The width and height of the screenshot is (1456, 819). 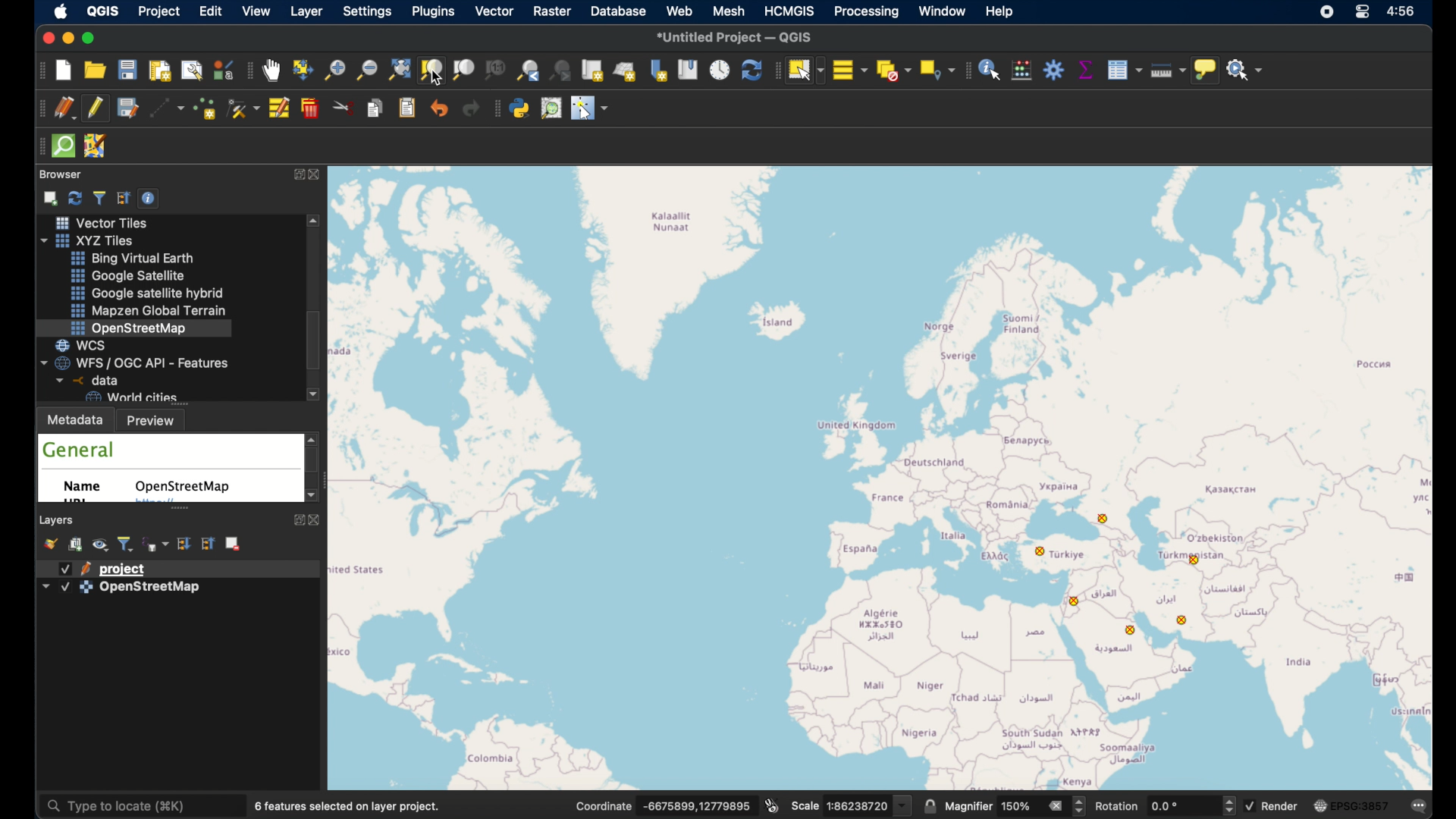 I want to click on openstreetmap, so click(x=186, y=487).